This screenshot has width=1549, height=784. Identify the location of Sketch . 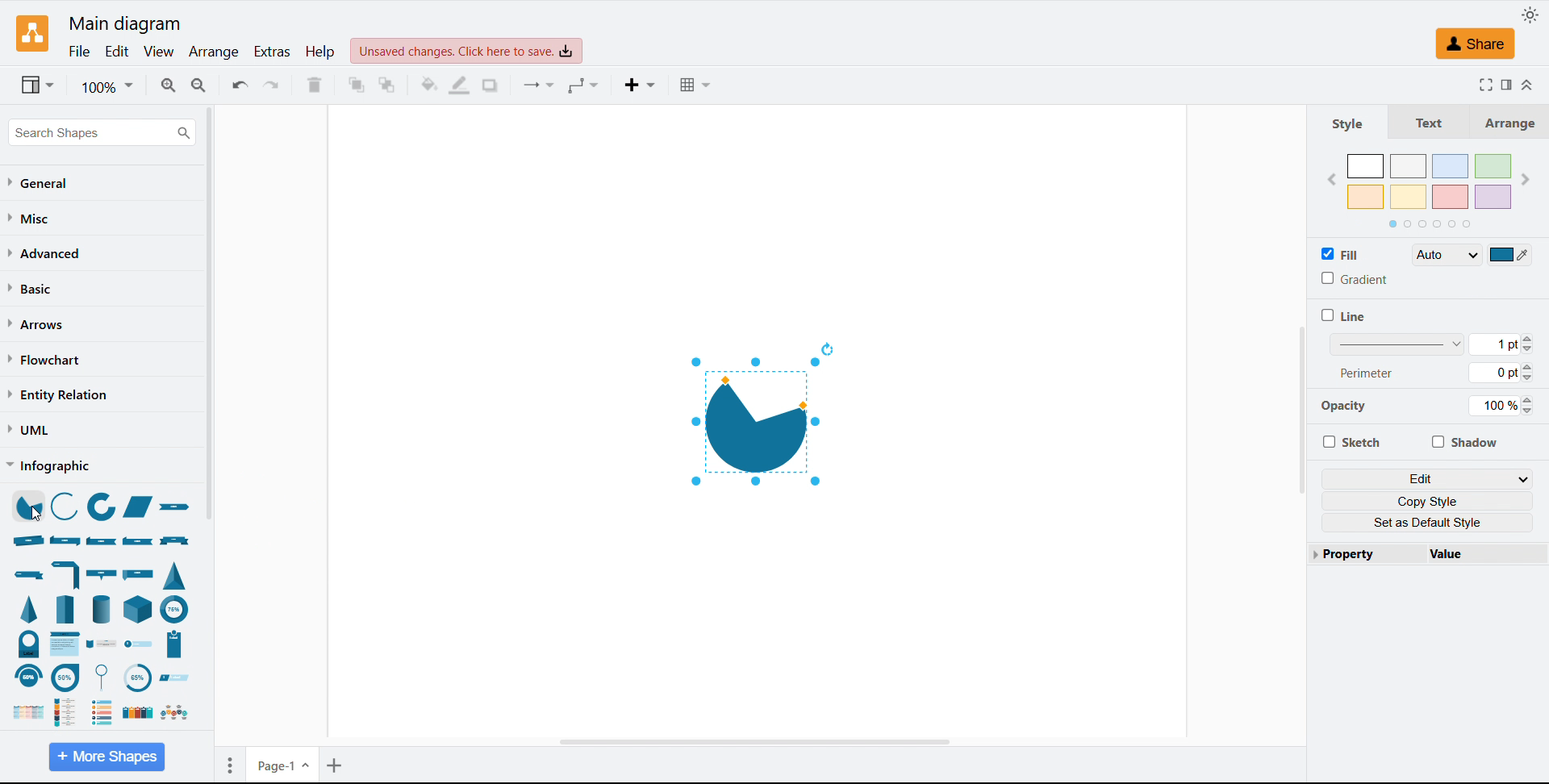
(1351, 442).